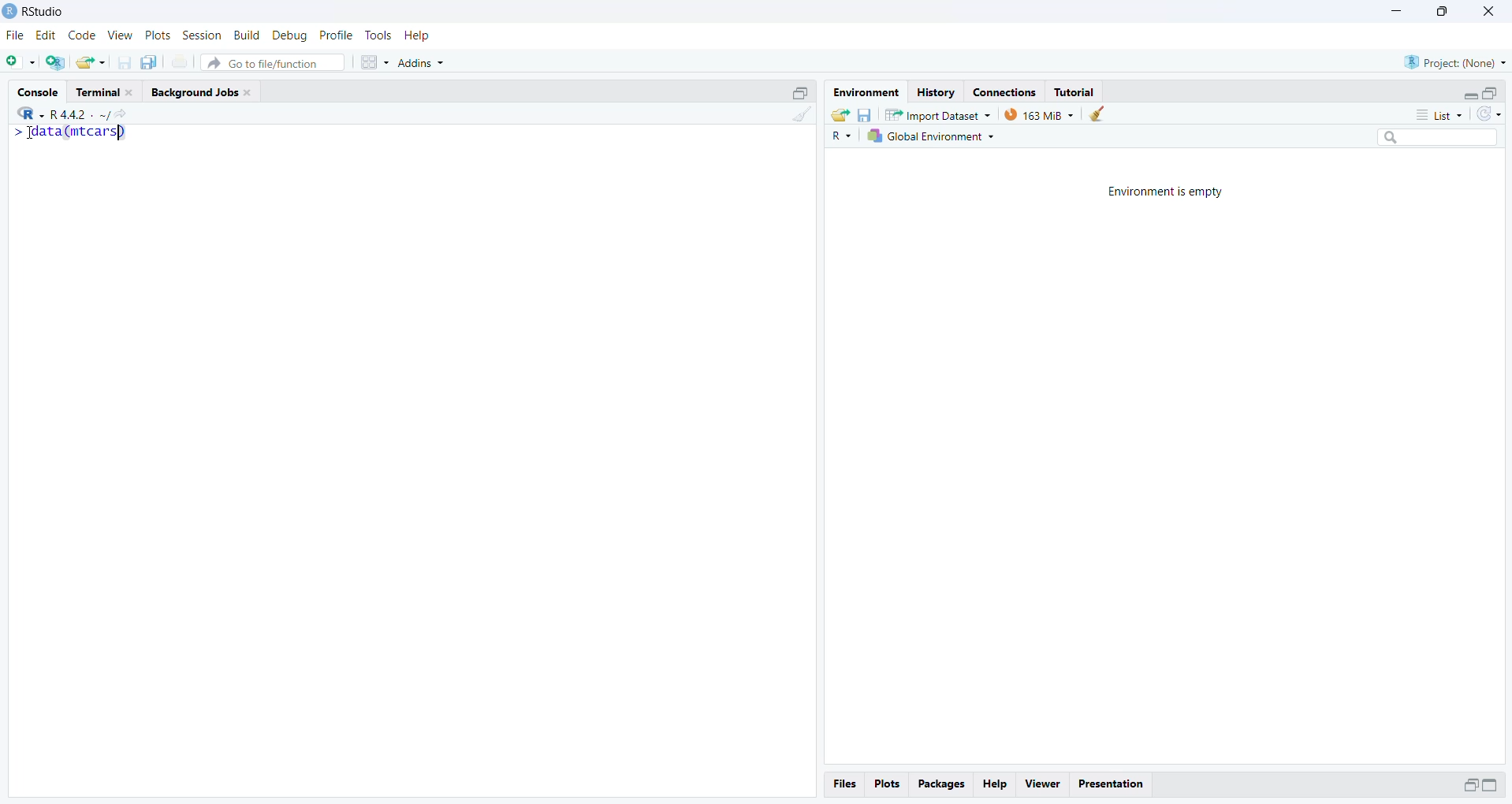 This screenshot has height=804, width=1512. What do you see at coordinates (21, 61) in the screenshot?
I see `add file as` at bounding box center [21, 61].